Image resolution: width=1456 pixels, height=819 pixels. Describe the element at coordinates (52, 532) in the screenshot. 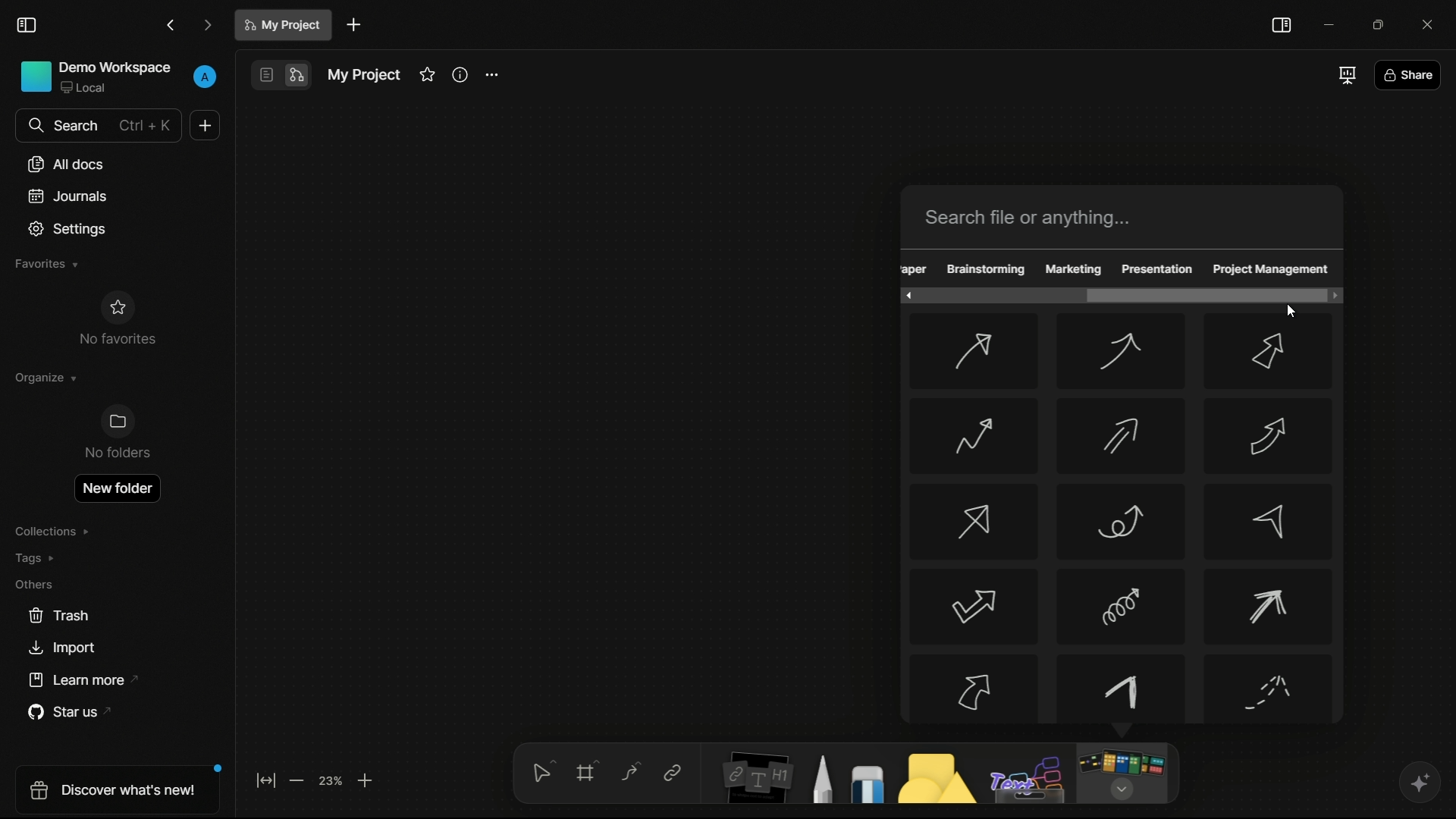

I see `collections` at that location.